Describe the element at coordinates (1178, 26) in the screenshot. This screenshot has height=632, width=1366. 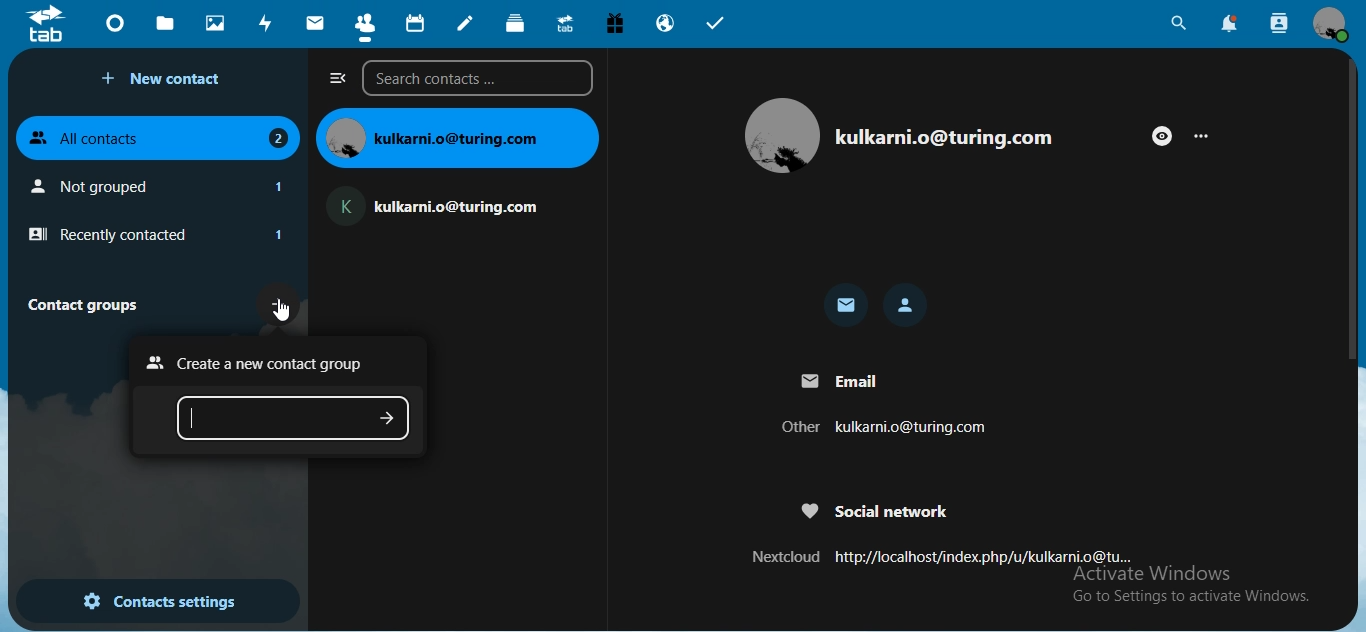
I see `unified search` at that location.